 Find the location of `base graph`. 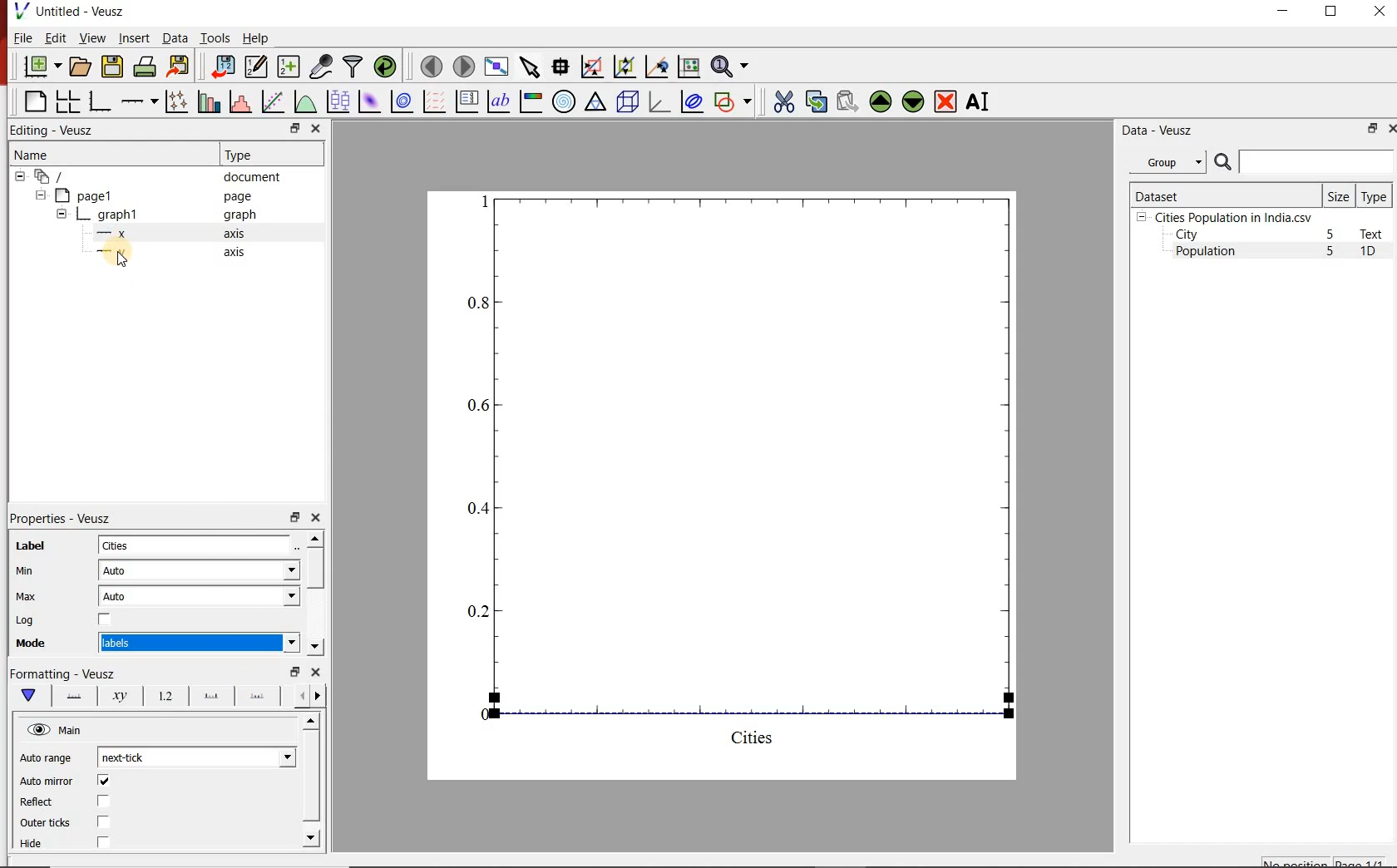

base graph is located at coordinates (98, 101).